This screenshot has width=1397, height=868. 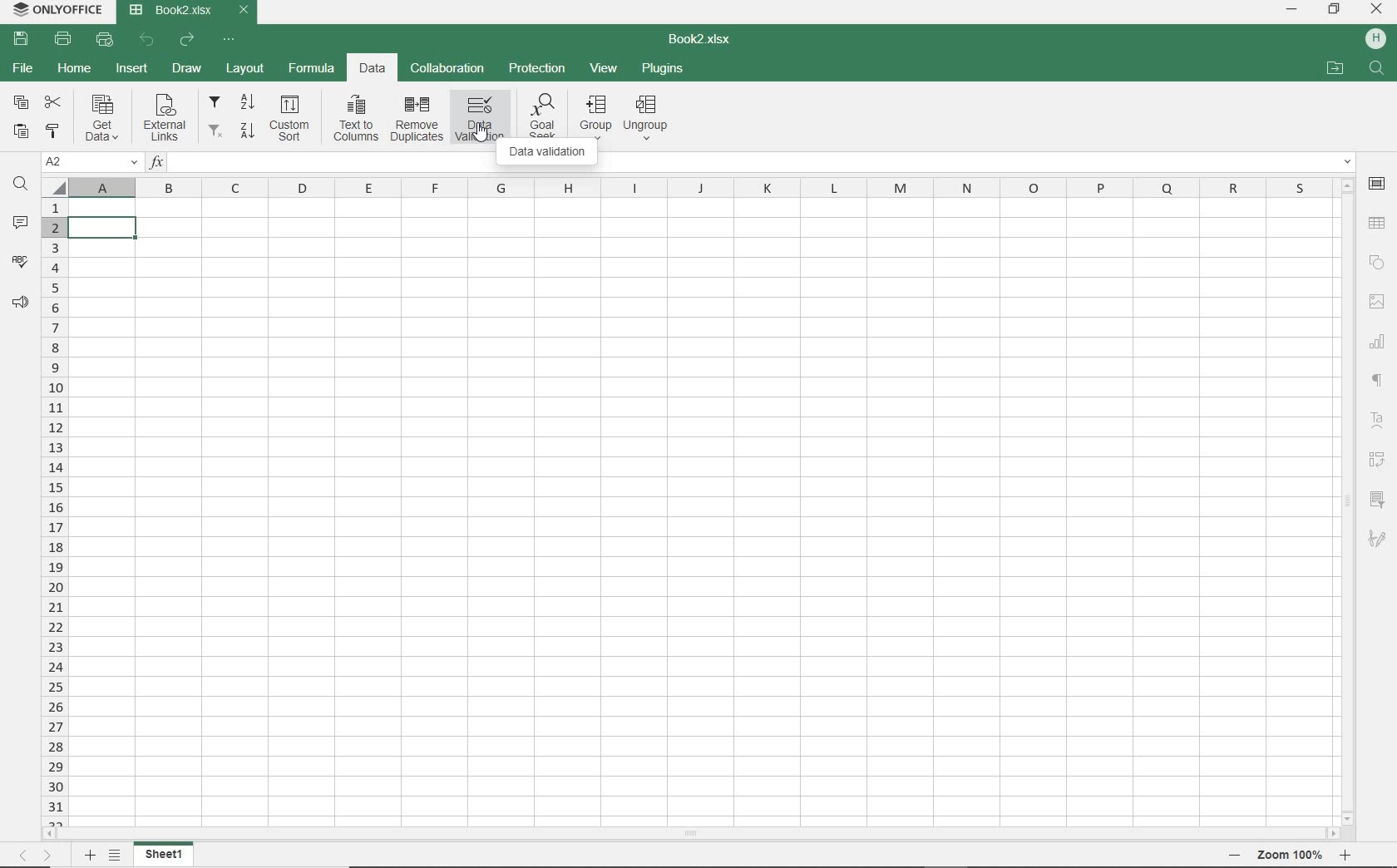 I want to click on FORMULA, so click(x=314, y=70).